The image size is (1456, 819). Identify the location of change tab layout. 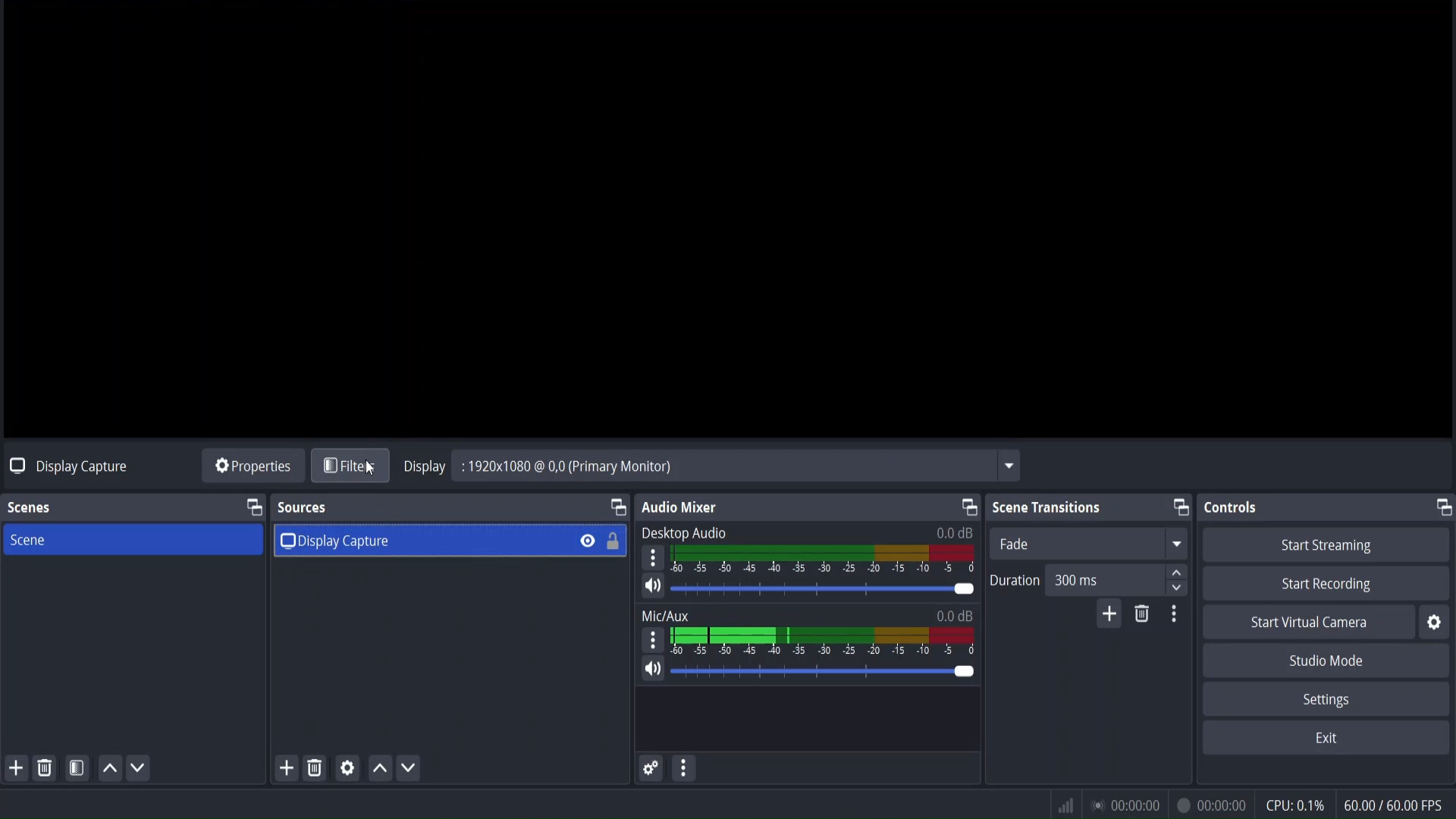
(253, 508).